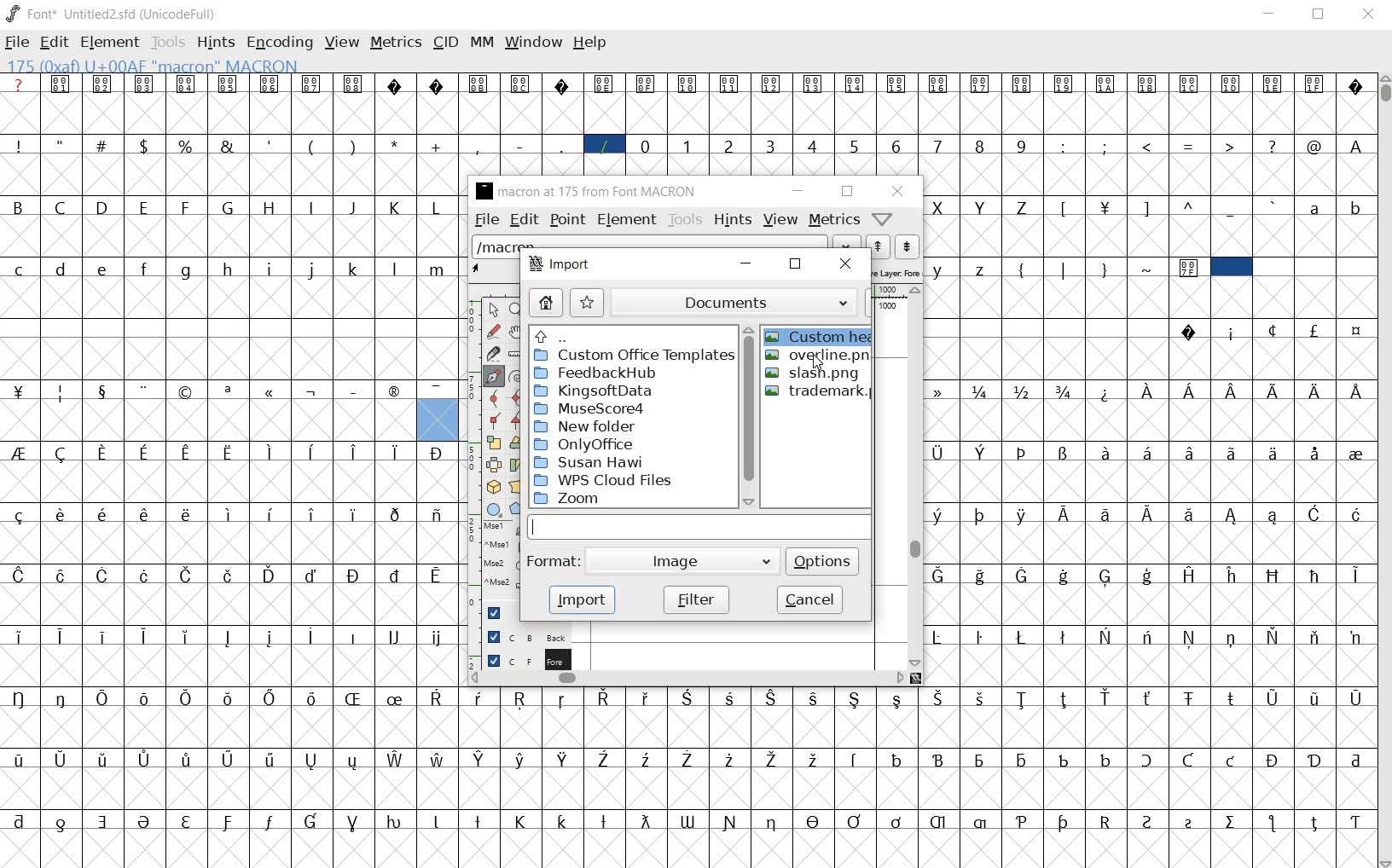 The width and height of the screenshot is (1392, 868). What do you see at coordinates (565, 821) in the screenshot?
I see `Symbol` at bounding box center [565, 821].